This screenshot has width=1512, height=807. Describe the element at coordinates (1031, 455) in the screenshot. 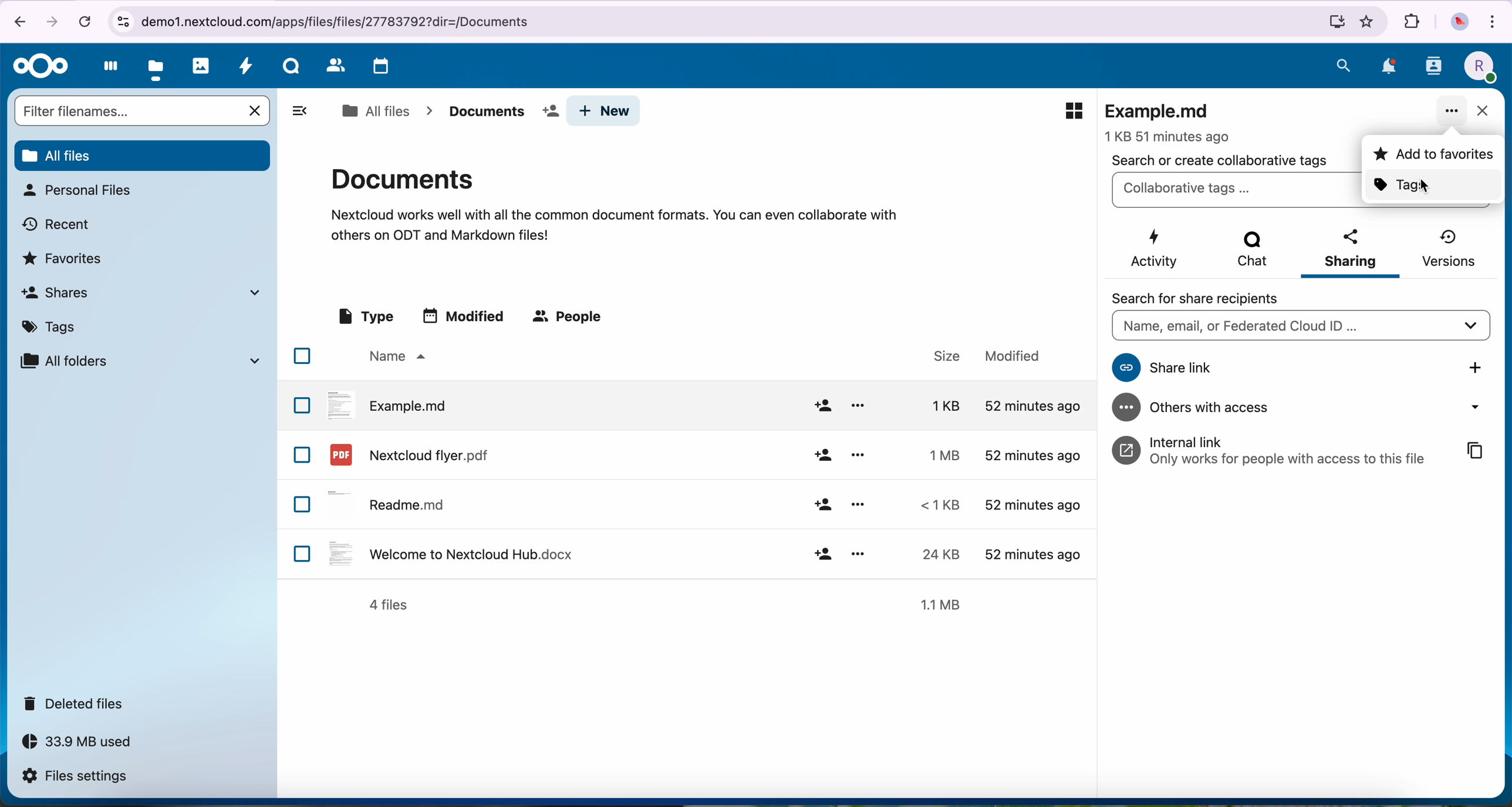

I see `modified` at that location.